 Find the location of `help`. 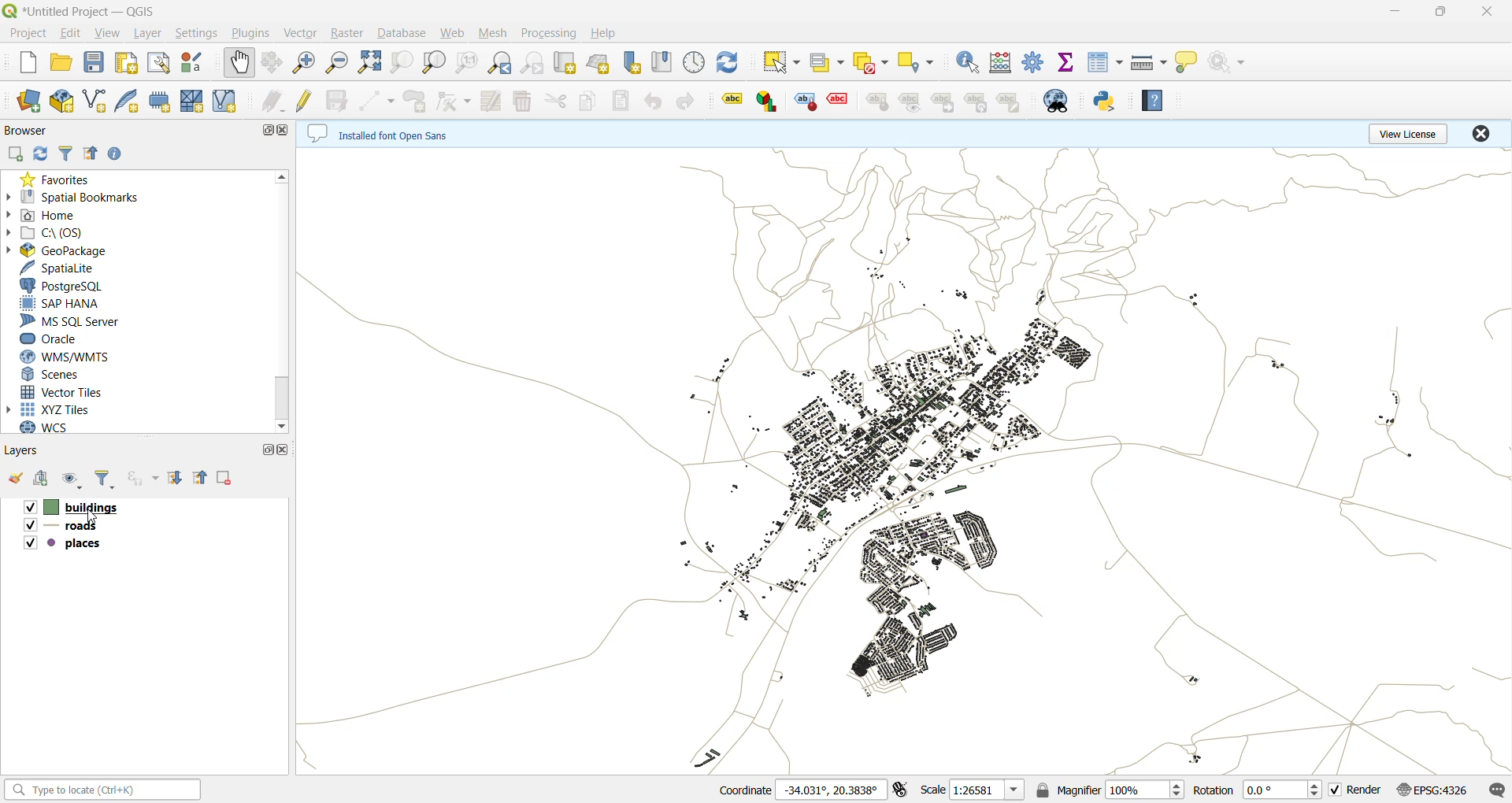

help is located at coordinates (1154, 100).